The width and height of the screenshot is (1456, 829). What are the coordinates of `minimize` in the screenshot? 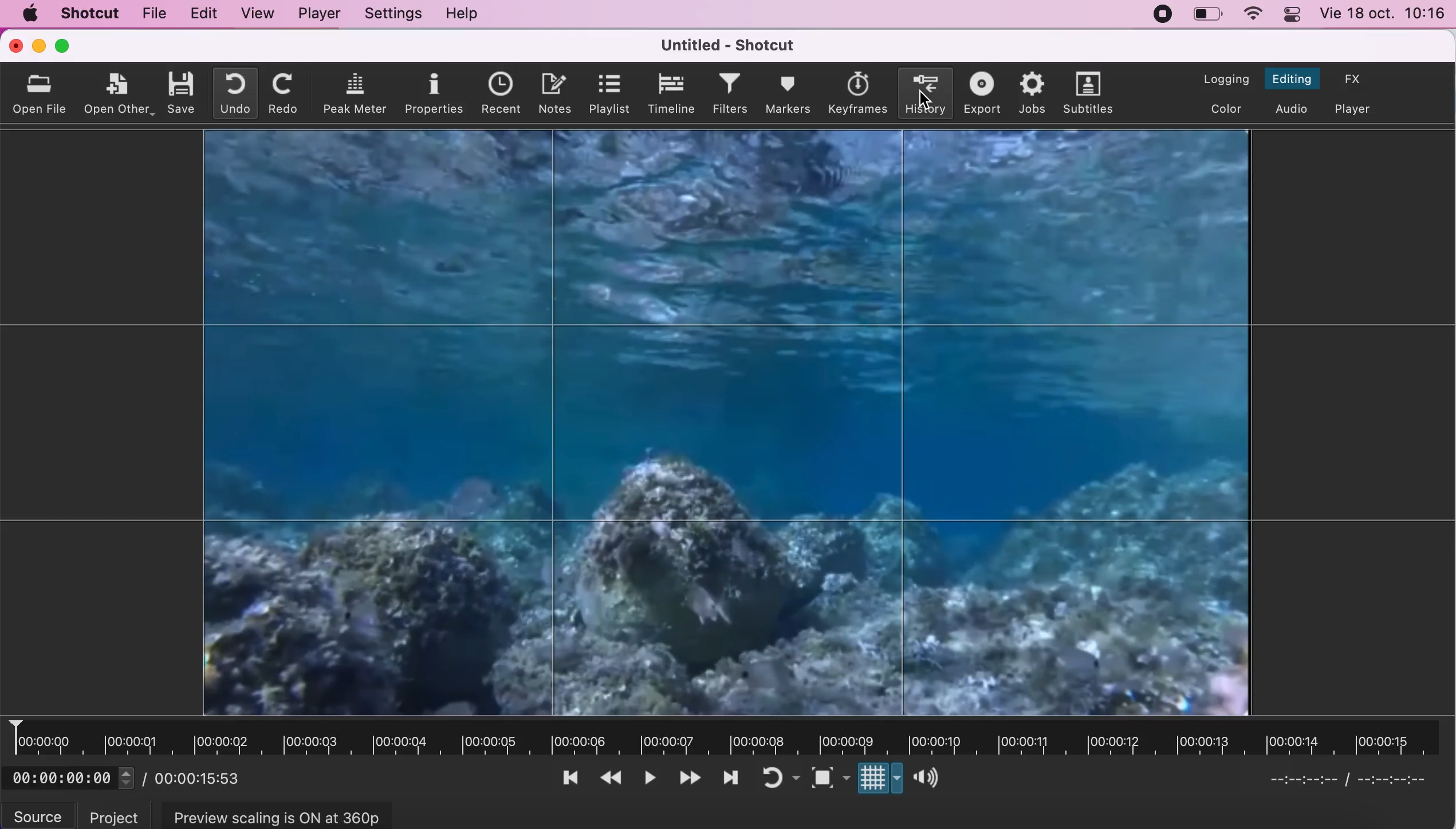 It's located at (38, 47).